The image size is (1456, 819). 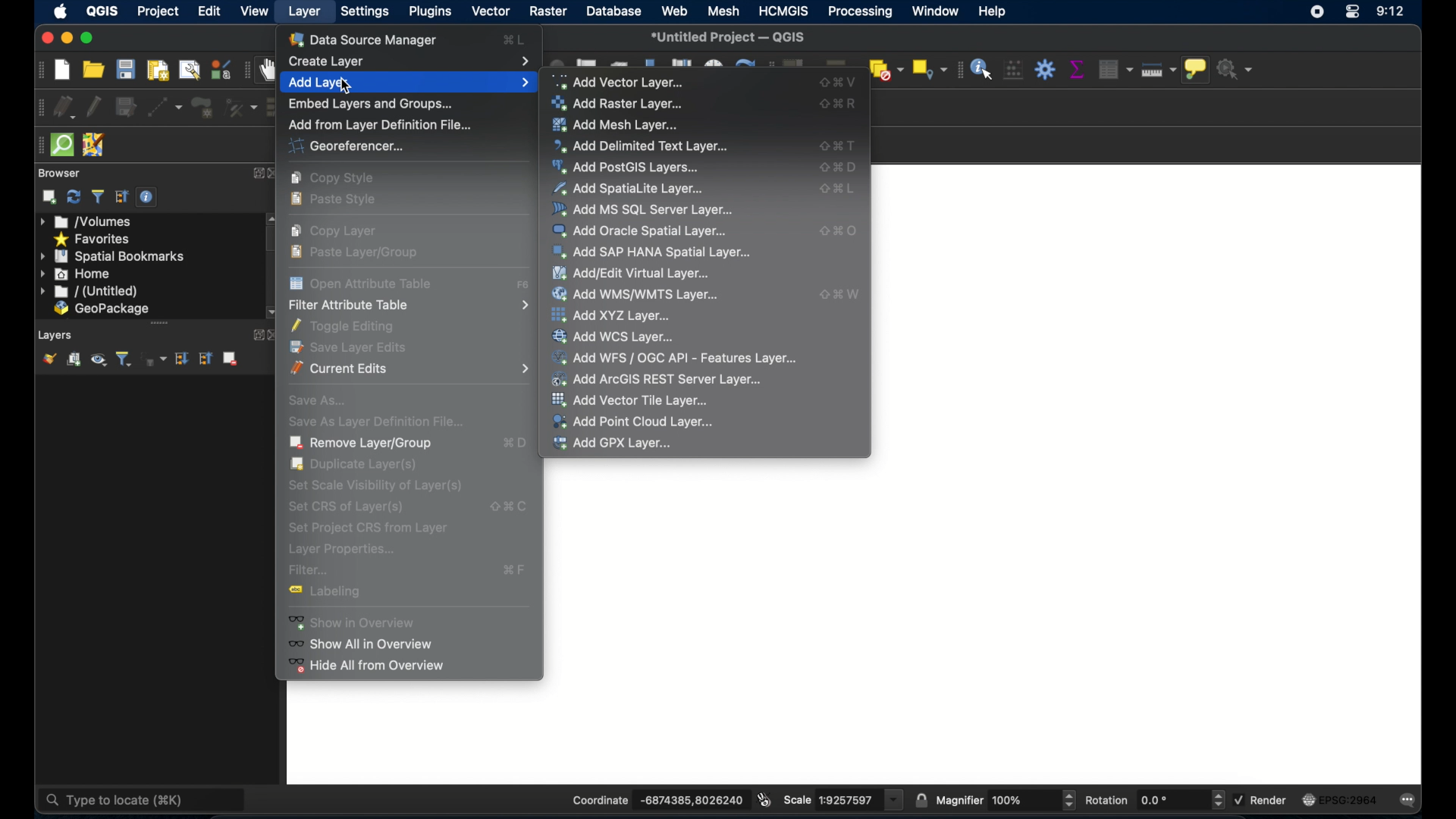 What do you see at coordinates (93, 105) in the screenshot?
I see `toggle editing` at bounding box center [93, 105].